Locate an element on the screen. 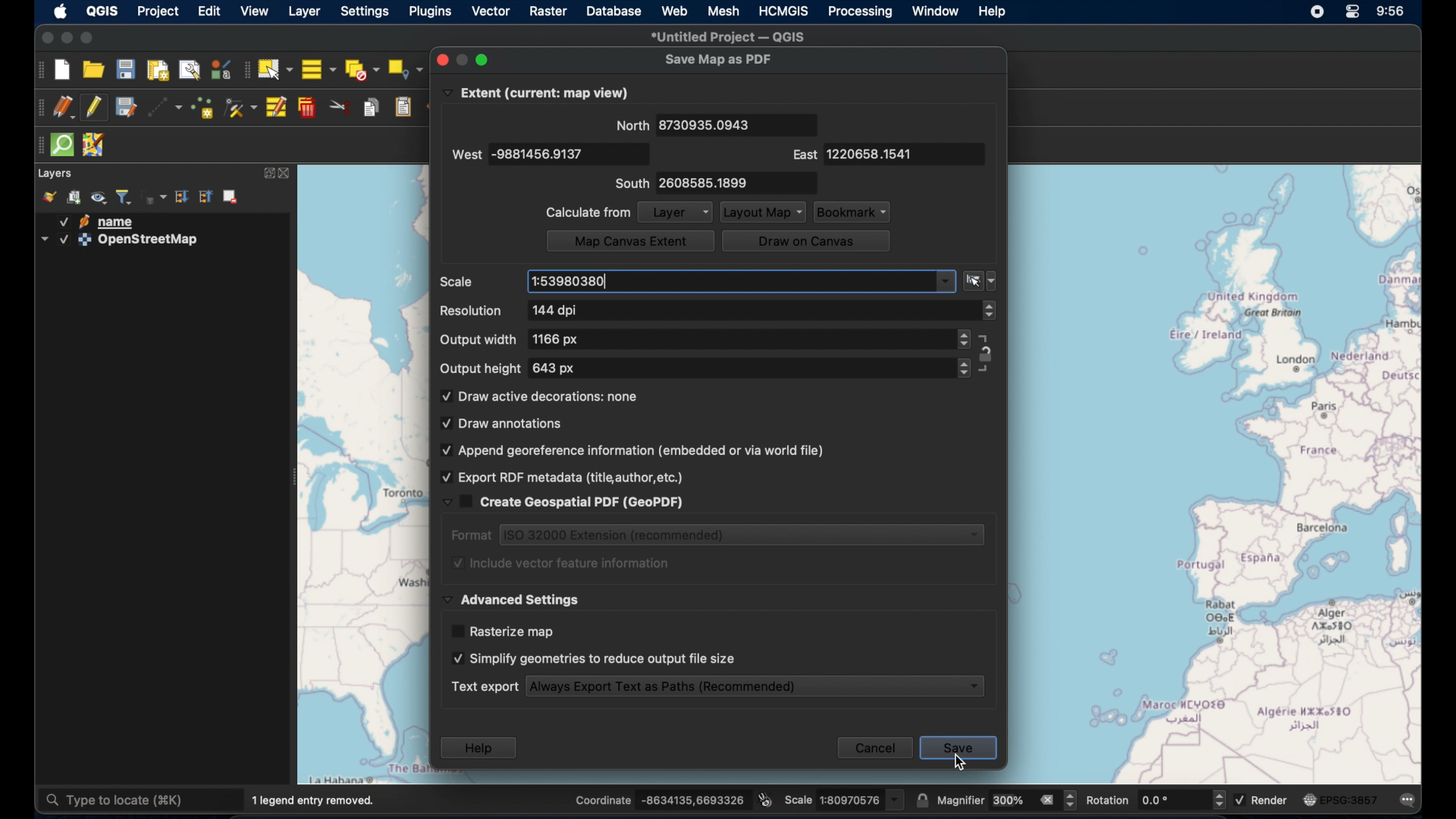  format is located at coordinates (472, 535).